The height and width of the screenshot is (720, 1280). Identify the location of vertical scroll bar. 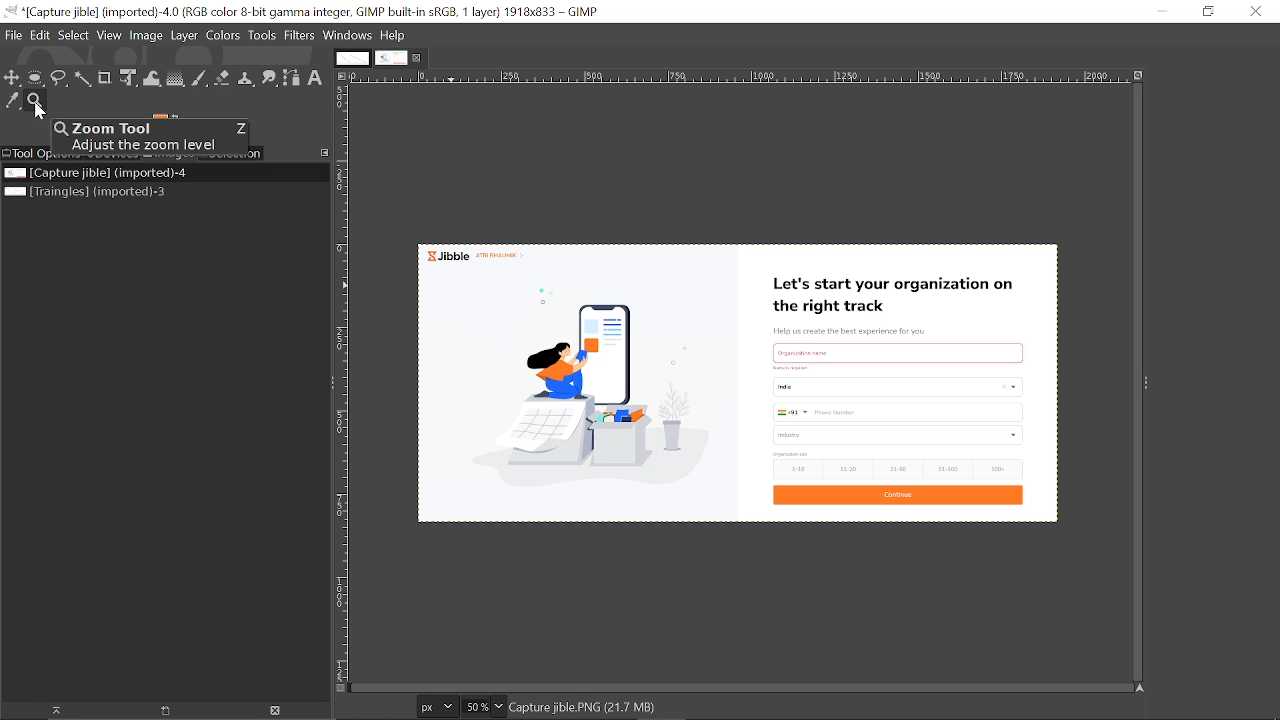
(1130, 379).